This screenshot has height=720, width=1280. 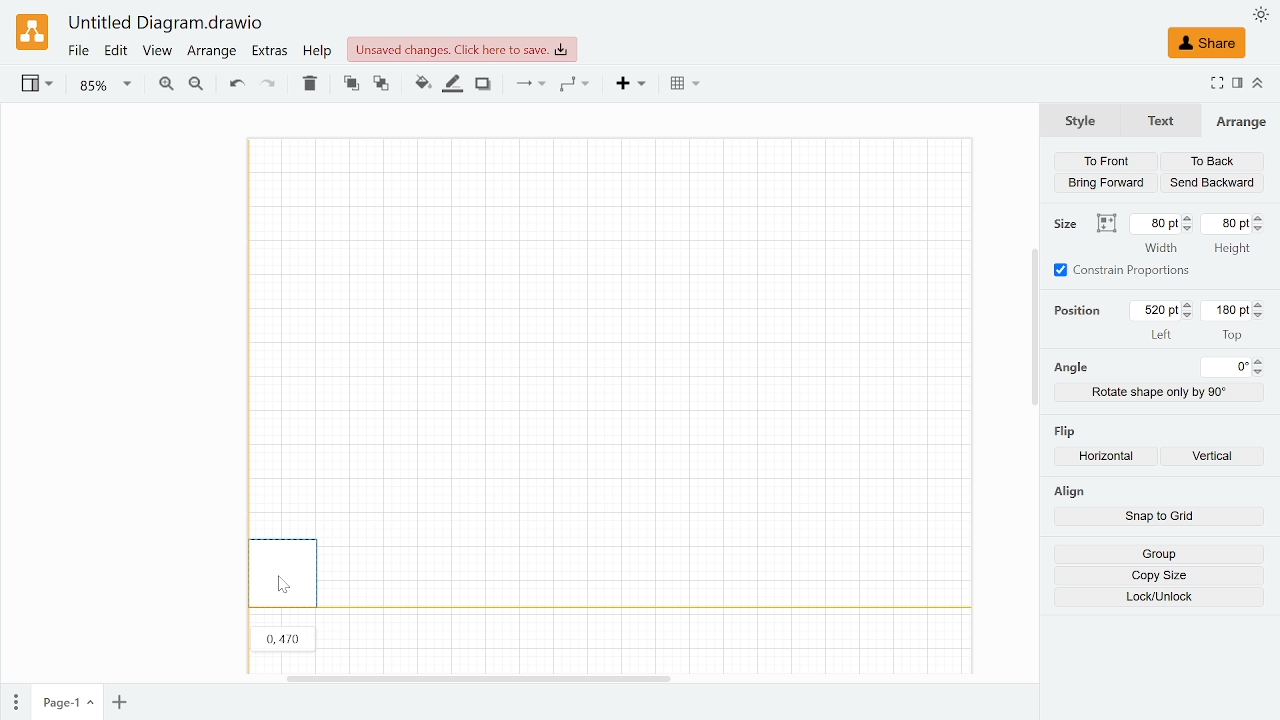 What do you see at coordinates (106, 85) in the screenshot?
I see `Current zoom` at bounding box center [106, 85].